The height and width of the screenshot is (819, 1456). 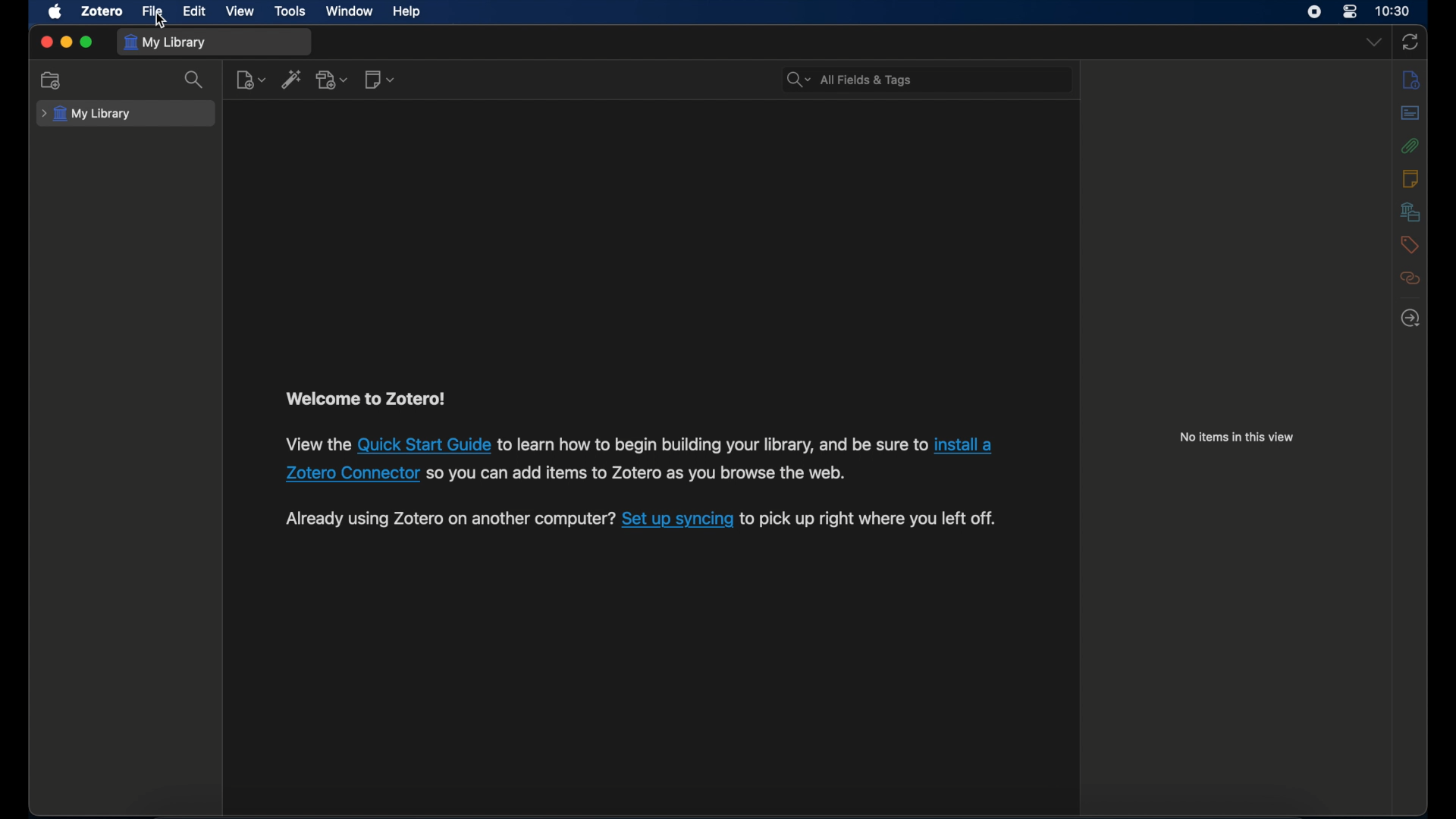 I want to click on set up, so click(x=678, y=520).